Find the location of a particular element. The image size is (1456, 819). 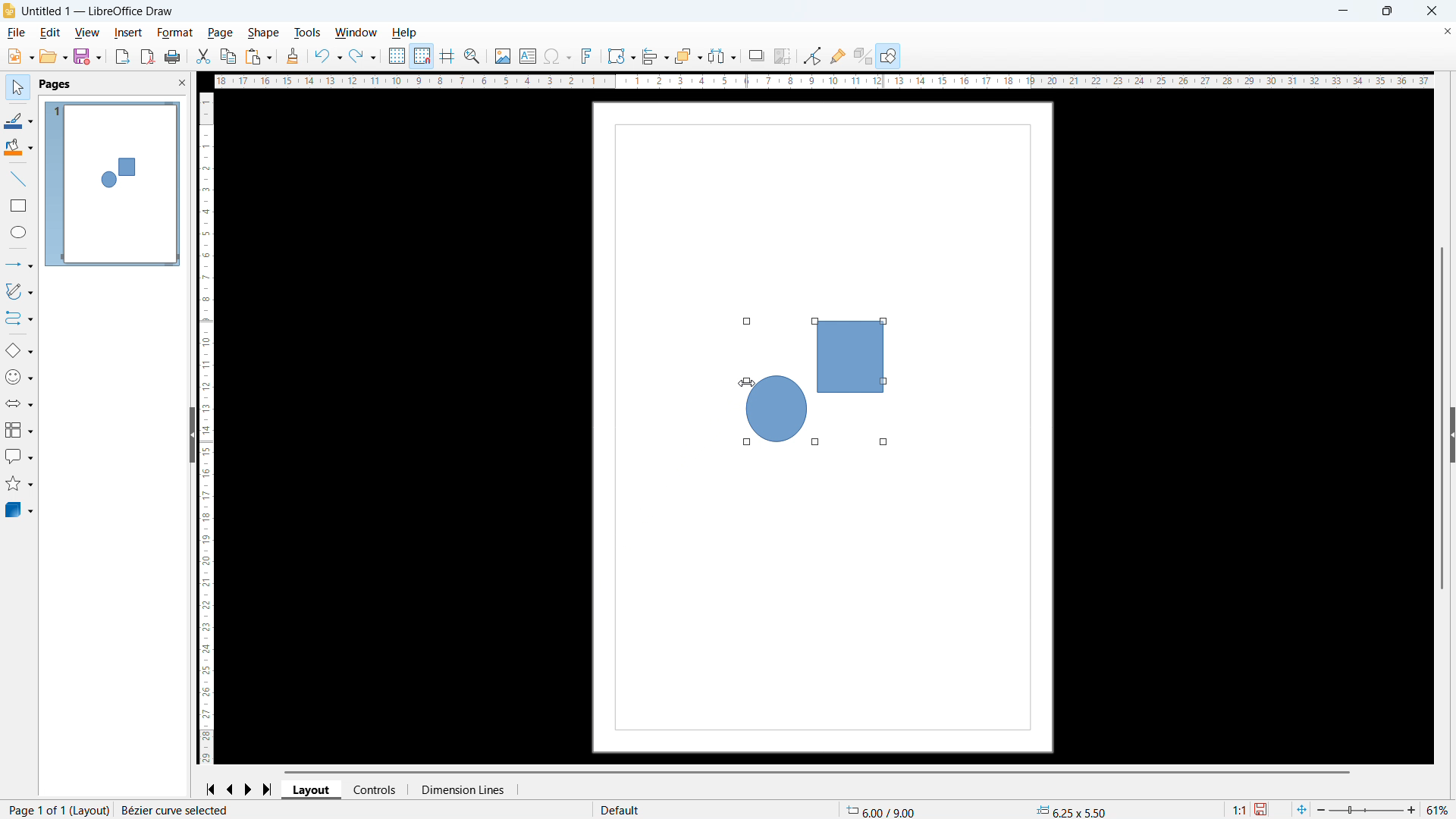

Go to last page  is located at coordinates (268, 789).